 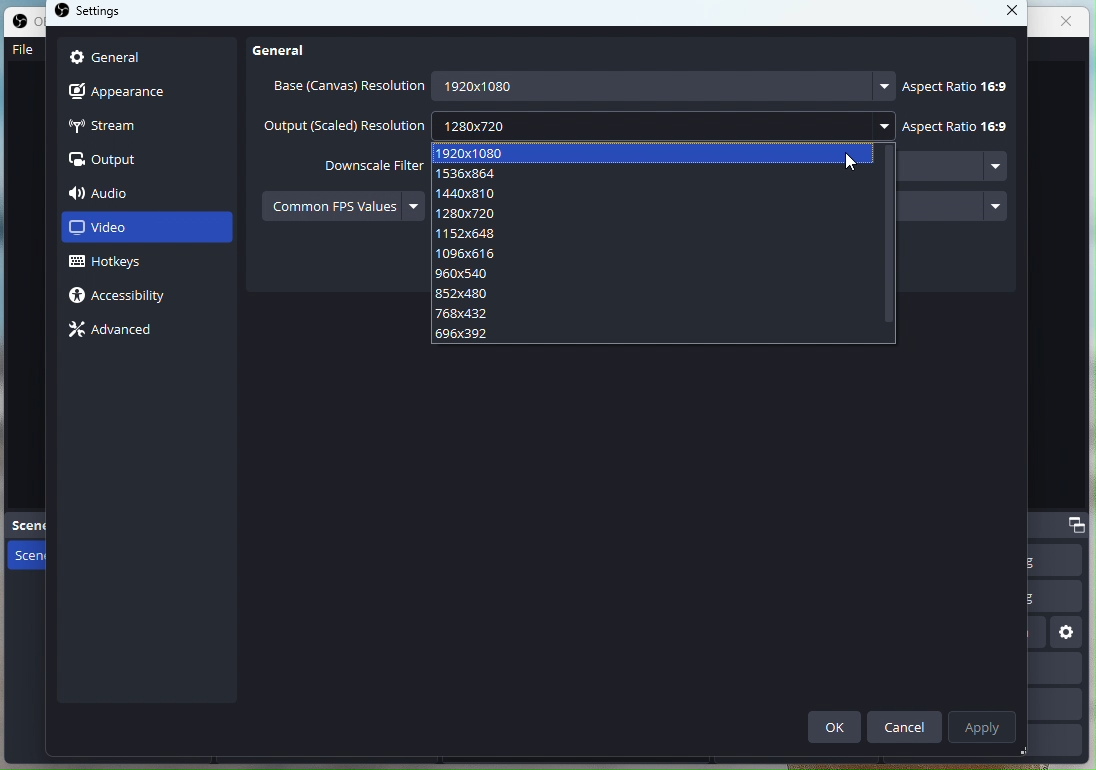 I want to click on 1096x616, so click(x=657, y=254).